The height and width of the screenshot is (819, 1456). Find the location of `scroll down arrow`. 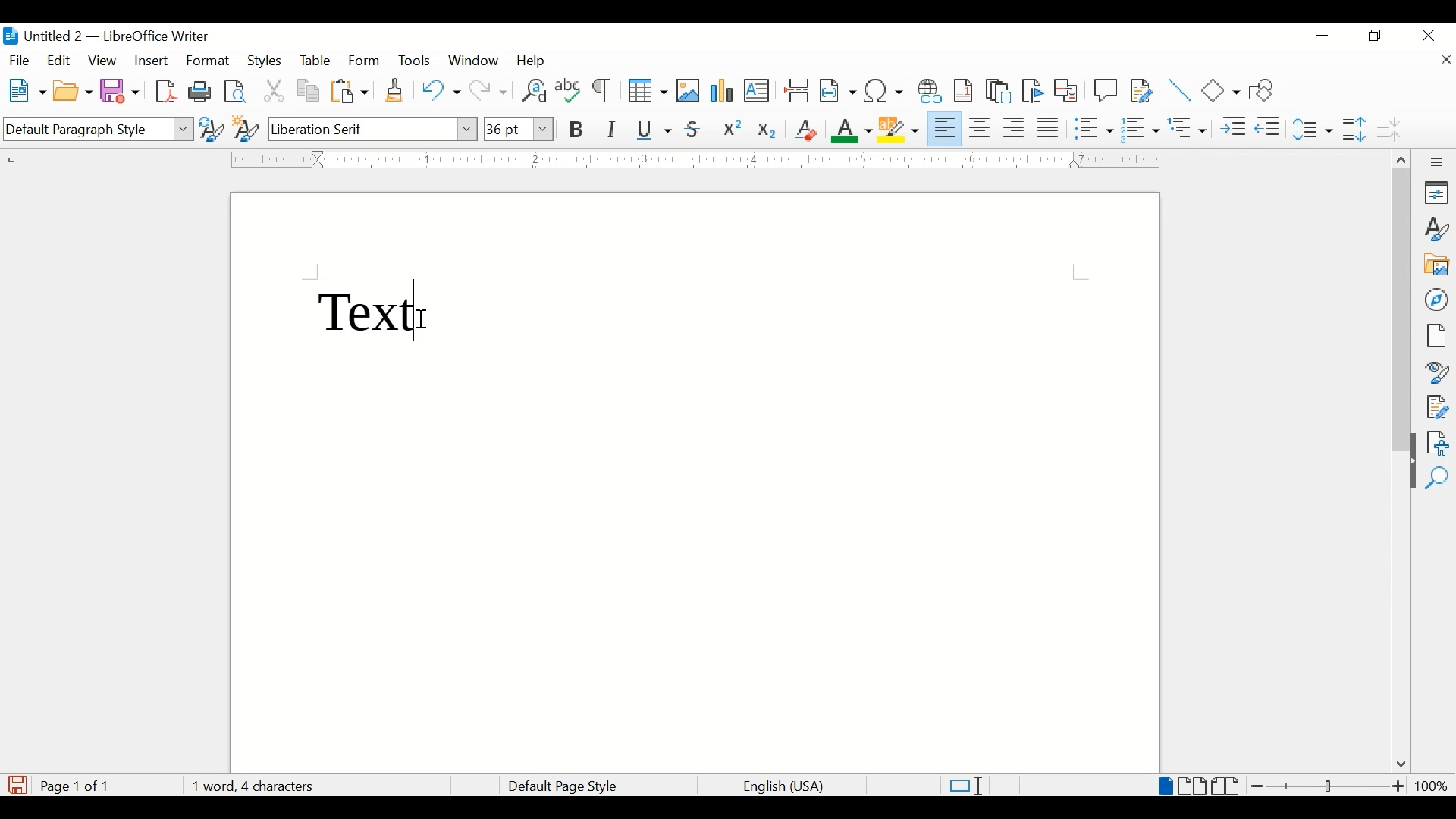

scroll down arrow is located at coordinates (1398, 765).